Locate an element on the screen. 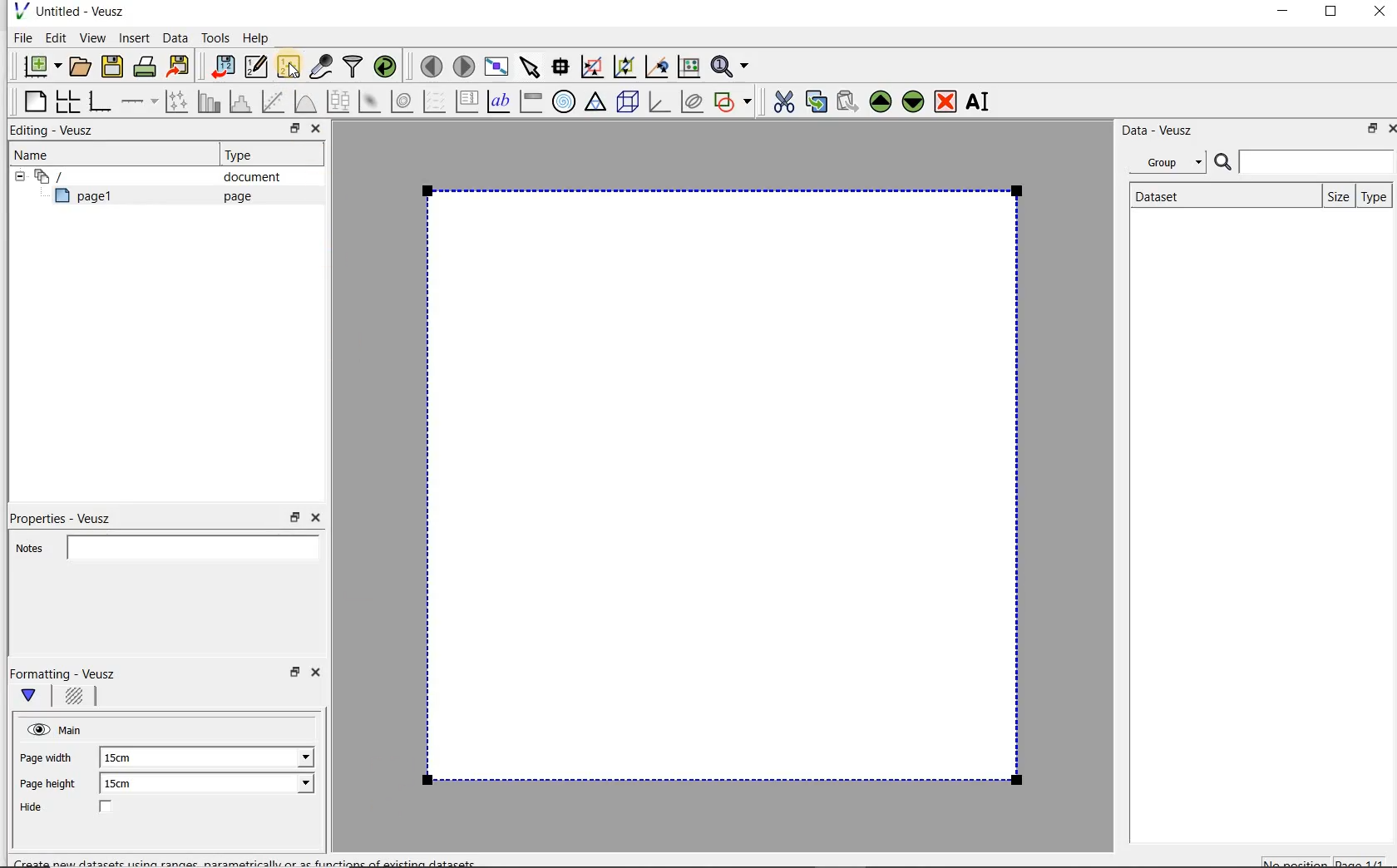 This screenshot has width=1397, height=868. restore down is located at coordinates (295, 518).